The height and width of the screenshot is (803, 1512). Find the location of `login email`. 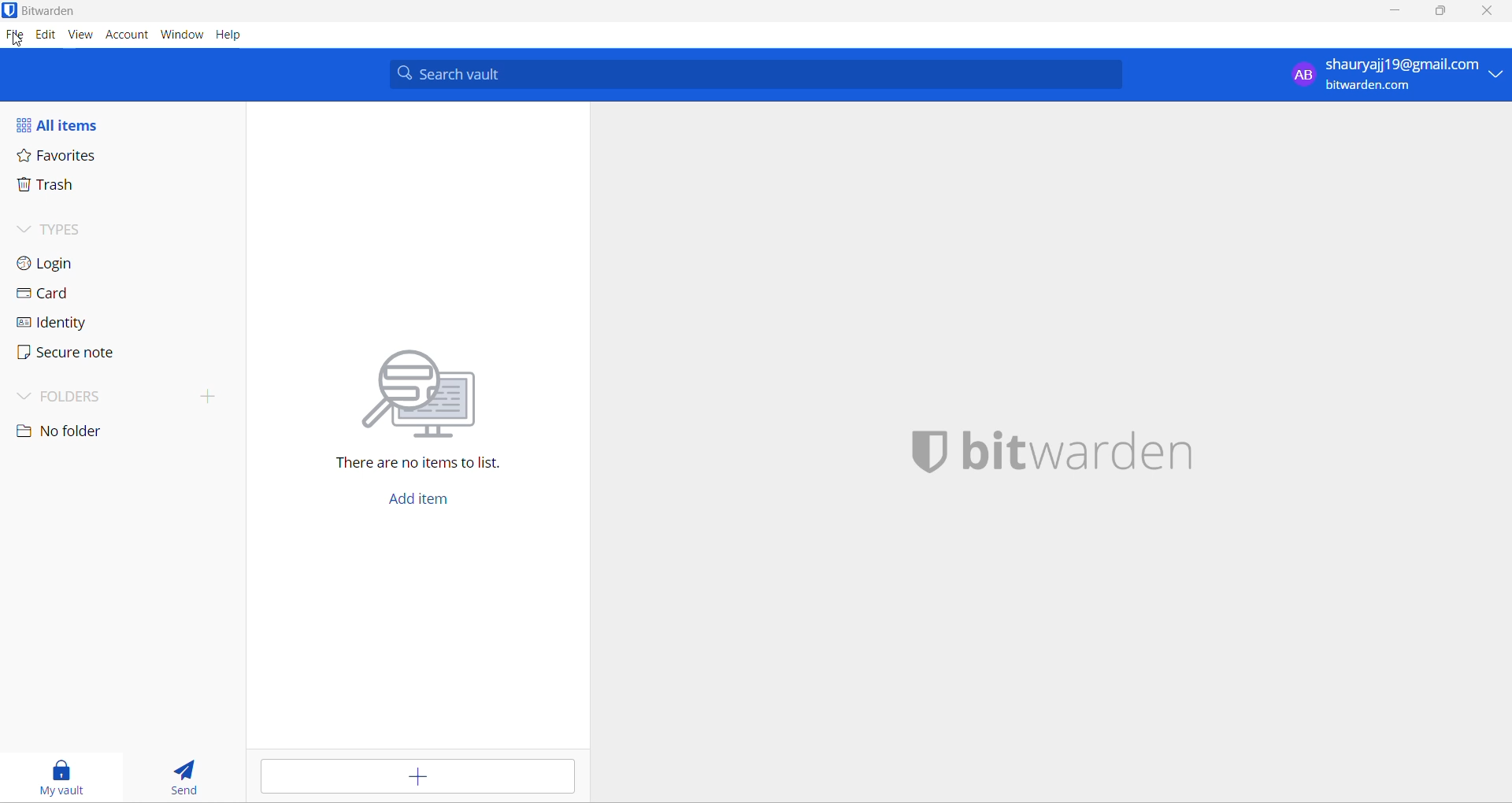

login email is located at coordinates (1392, 75).